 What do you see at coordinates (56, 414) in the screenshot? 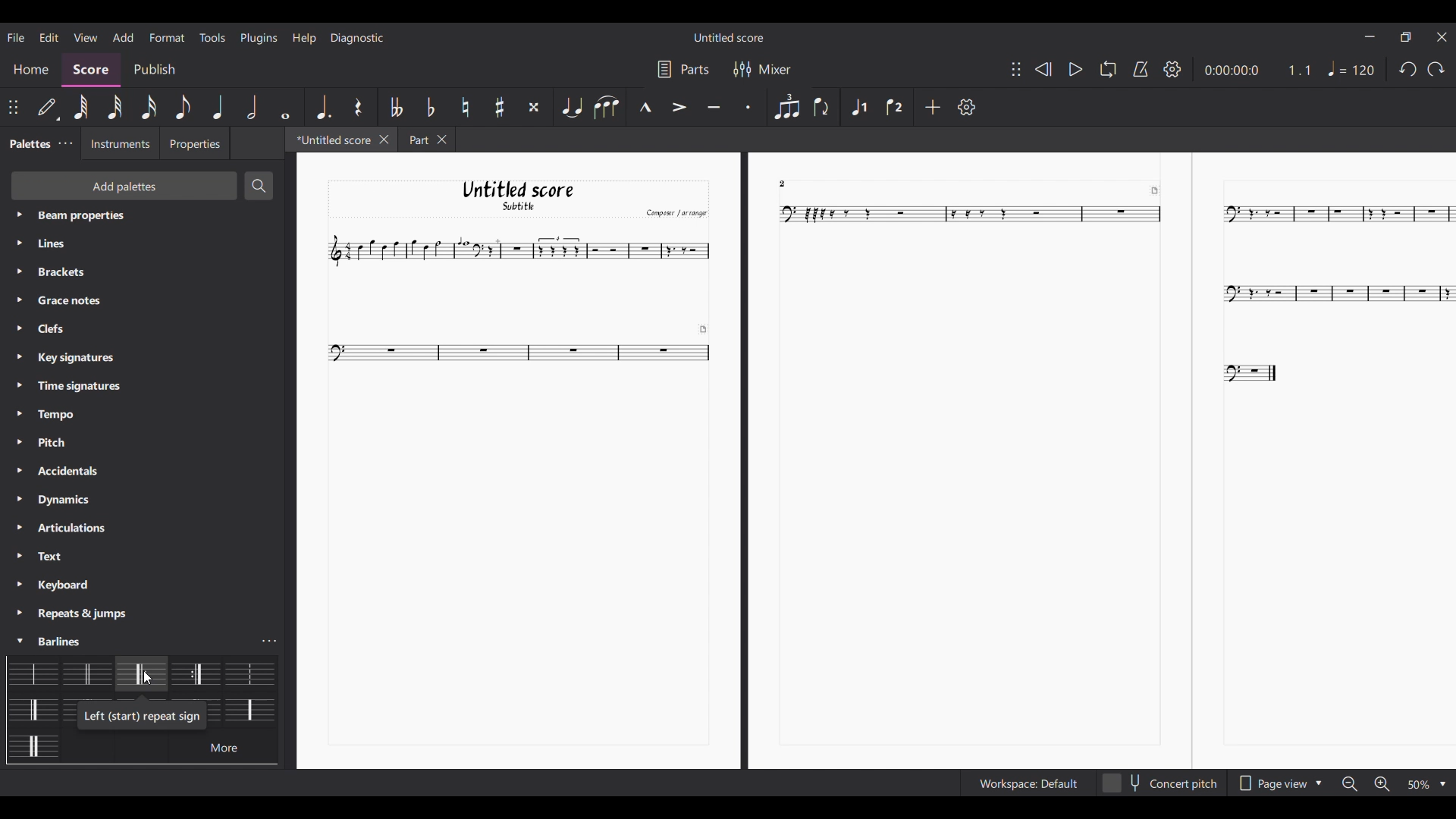
I see `Palette settings` at bounding box center [56, 414].